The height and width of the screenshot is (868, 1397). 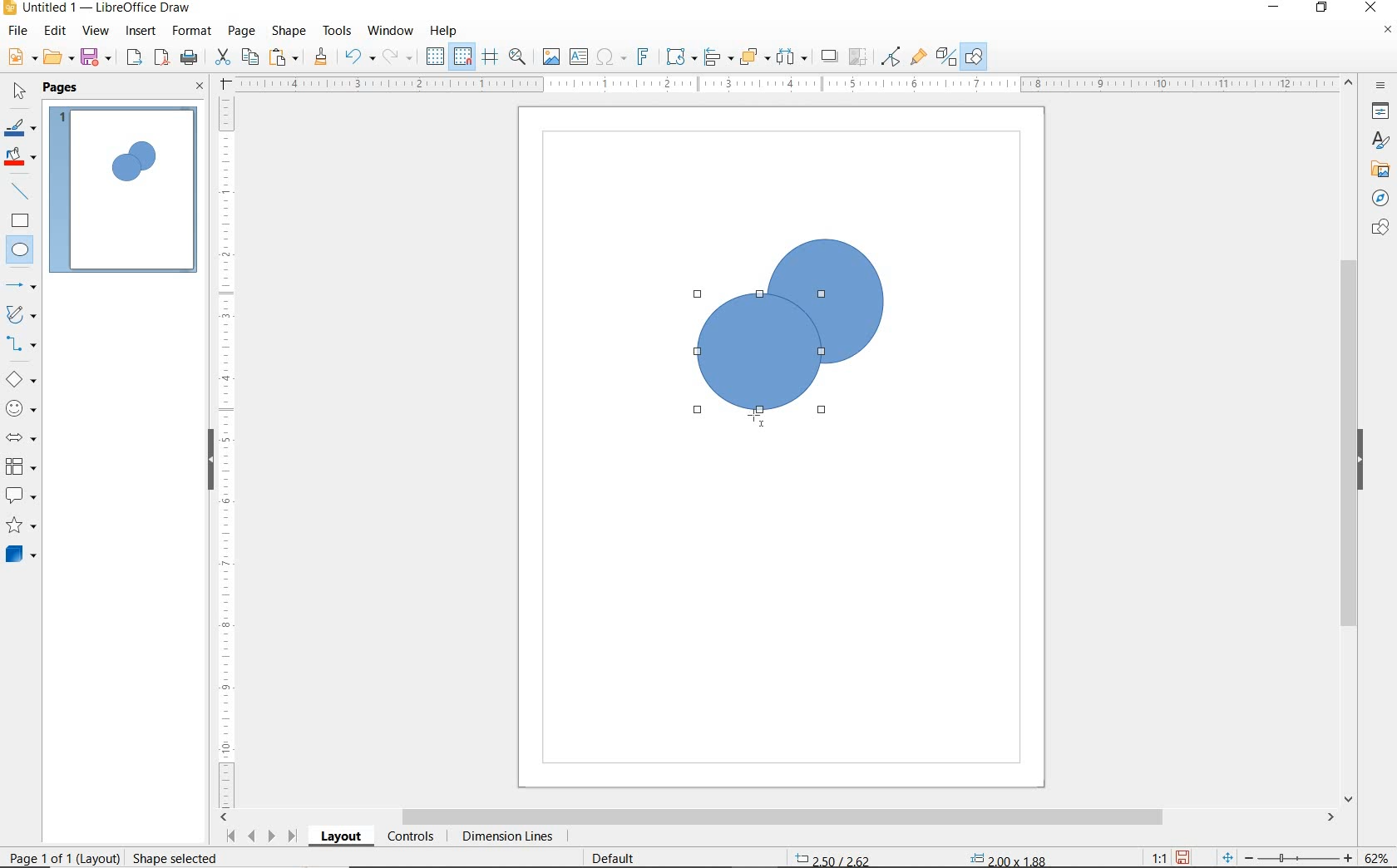 I want to click on ELLIPSE TOO AT DRAG, so click(x=881, y=242).